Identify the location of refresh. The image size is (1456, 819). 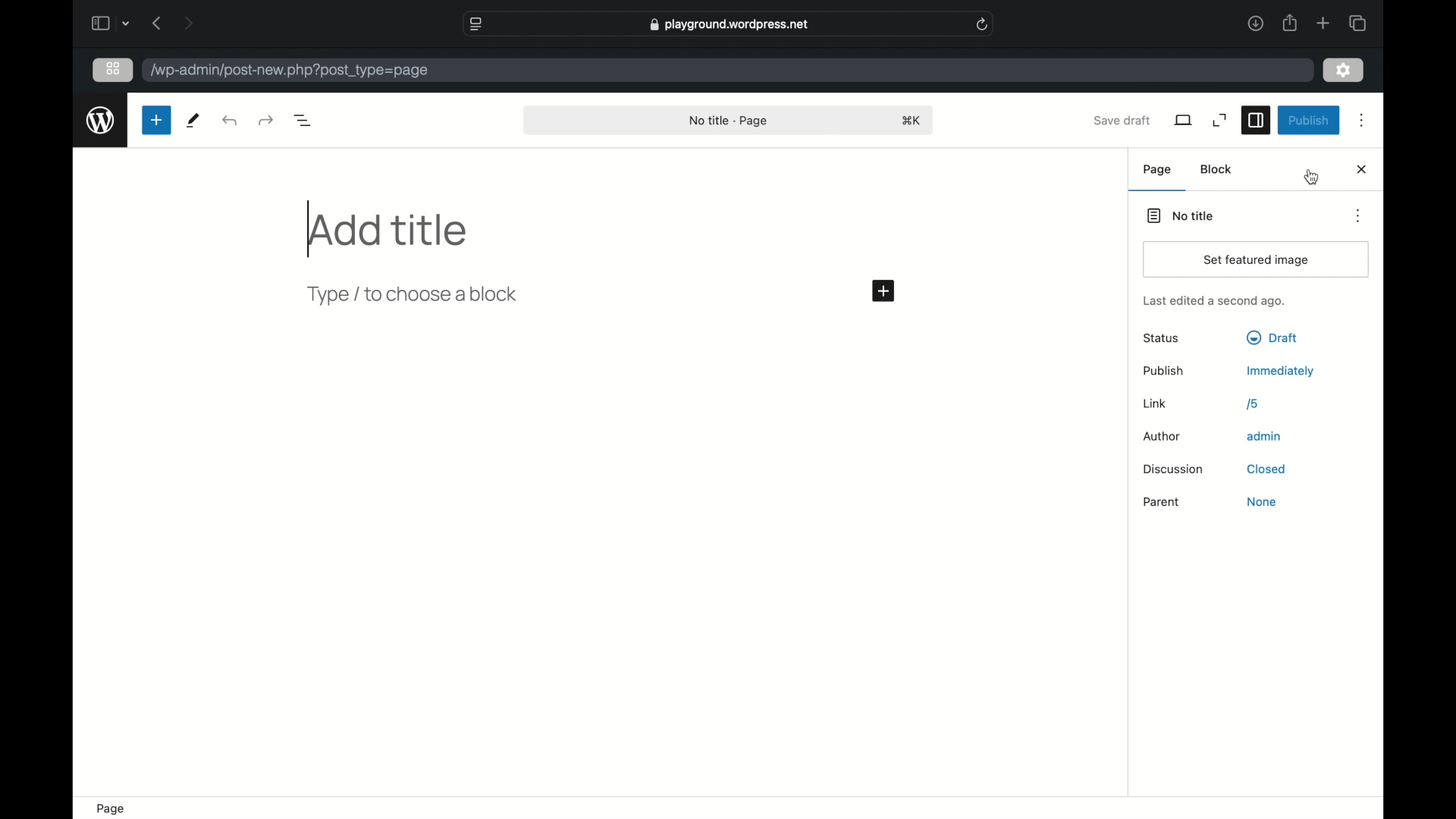
(983, 24).